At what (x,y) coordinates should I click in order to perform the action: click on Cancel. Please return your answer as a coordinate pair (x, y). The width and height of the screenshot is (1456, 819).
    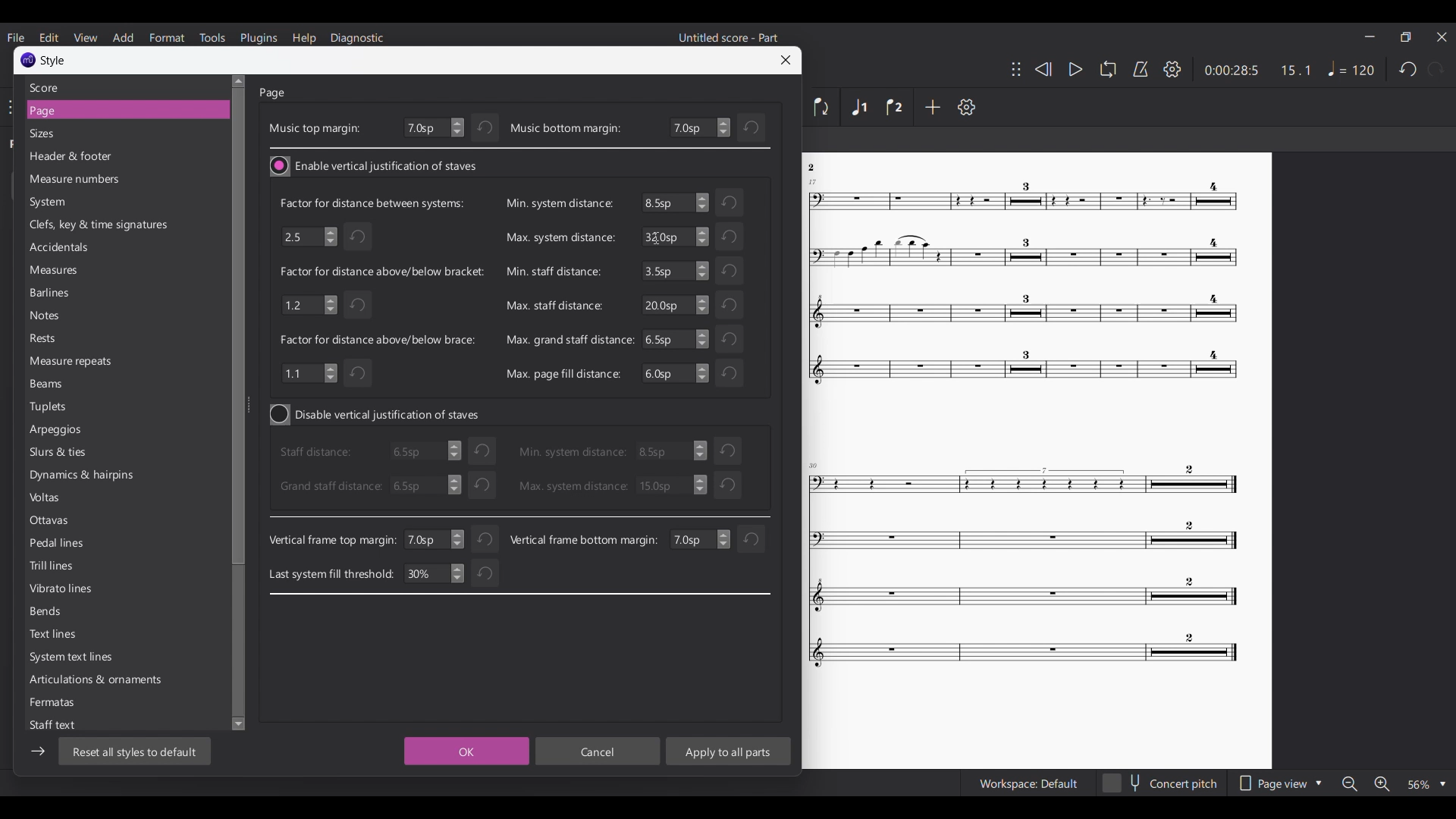
    Looking at the image, I should click on (598, 752).